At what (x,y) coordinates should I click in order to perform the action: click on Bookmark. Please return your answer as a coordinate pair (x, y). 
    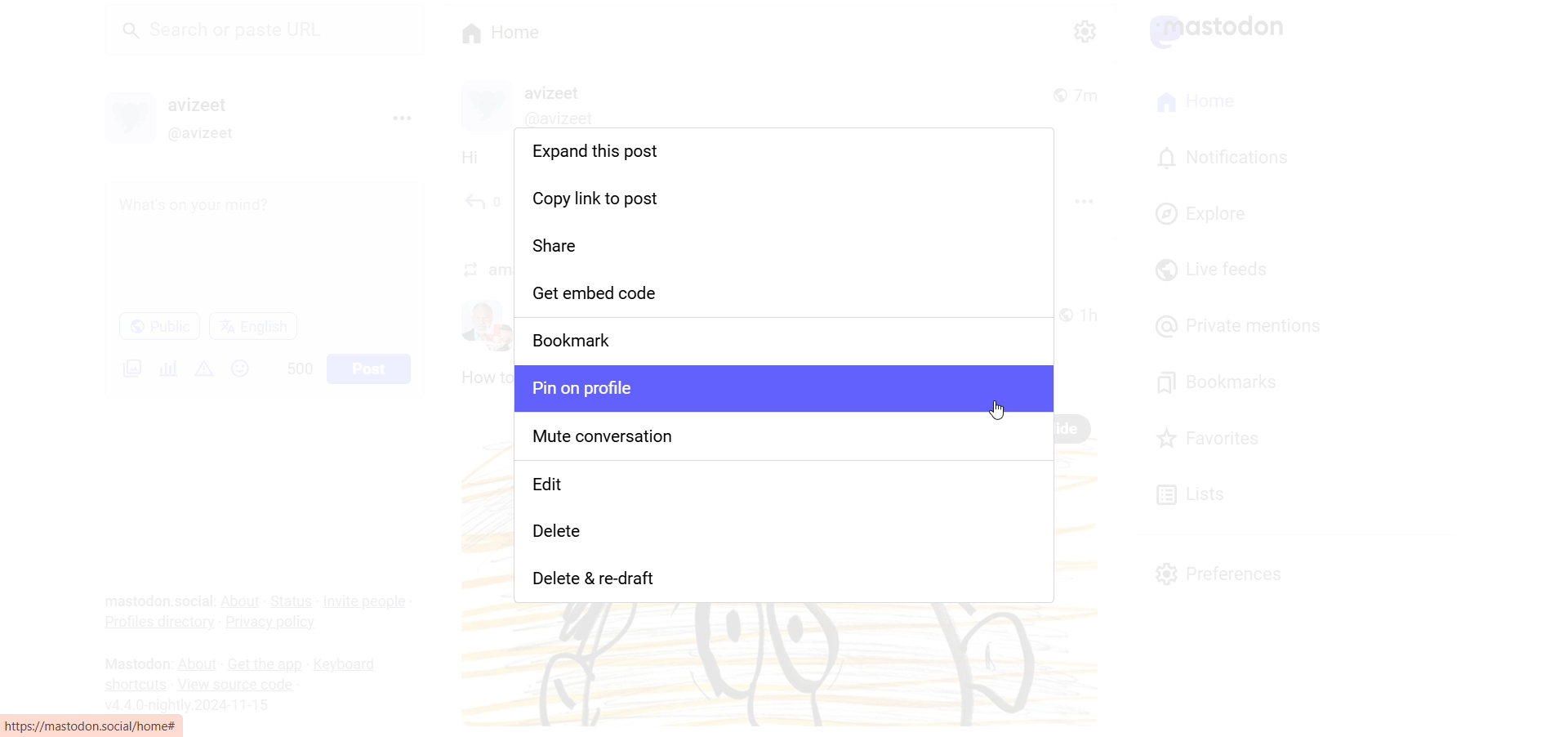
    Looking at the image, I should click on (786, 341).